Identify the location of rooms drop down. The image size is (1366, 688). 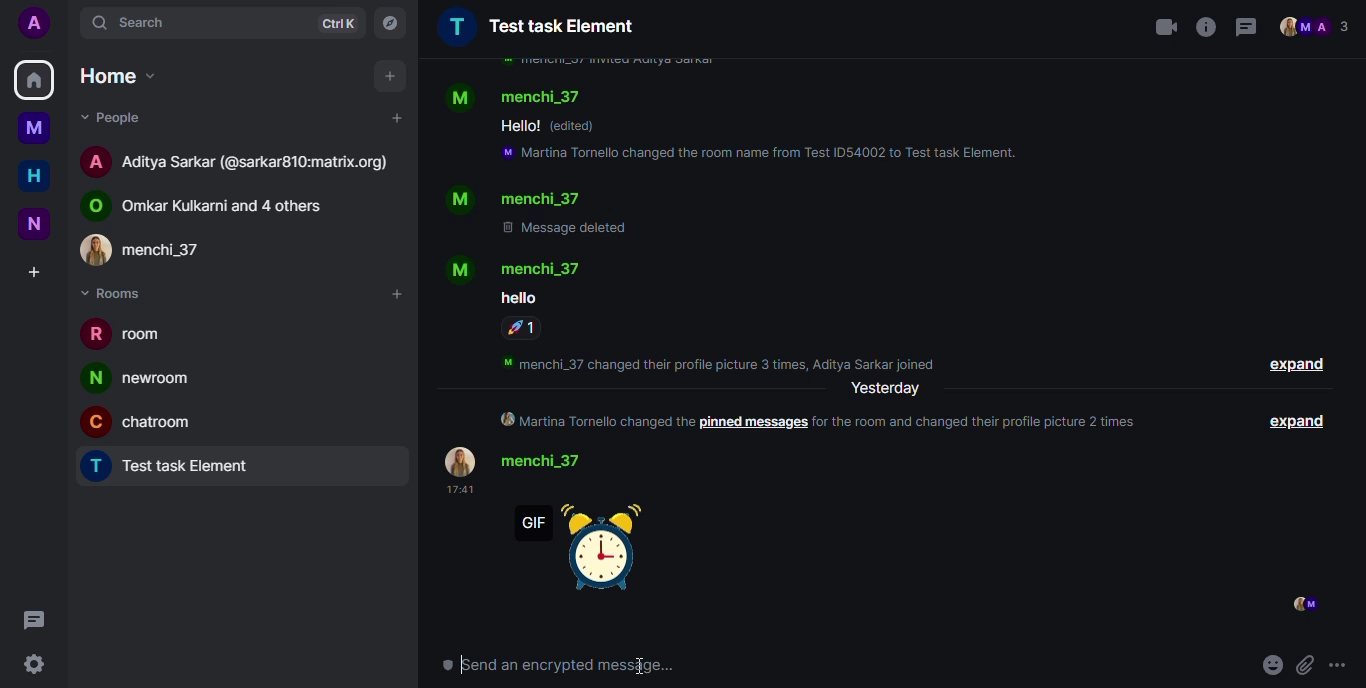
(119, 293).